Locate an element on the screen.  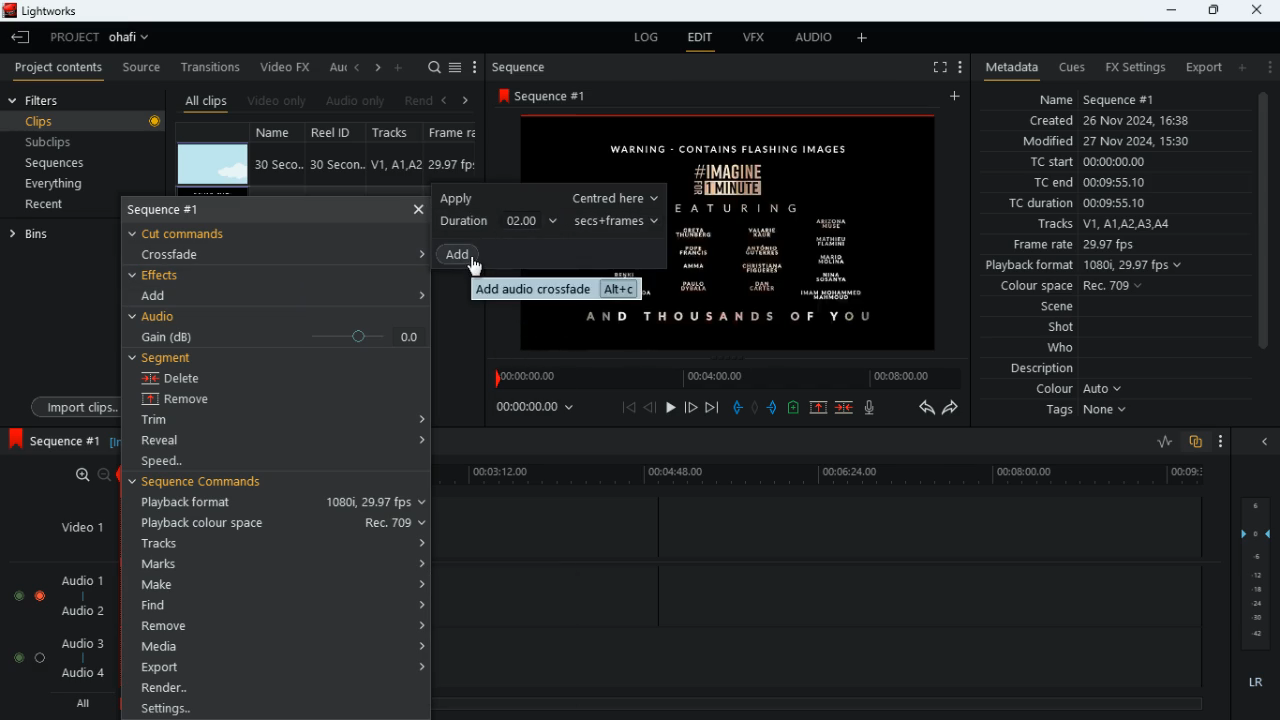
playback format is located at coordinates (1090, 267).